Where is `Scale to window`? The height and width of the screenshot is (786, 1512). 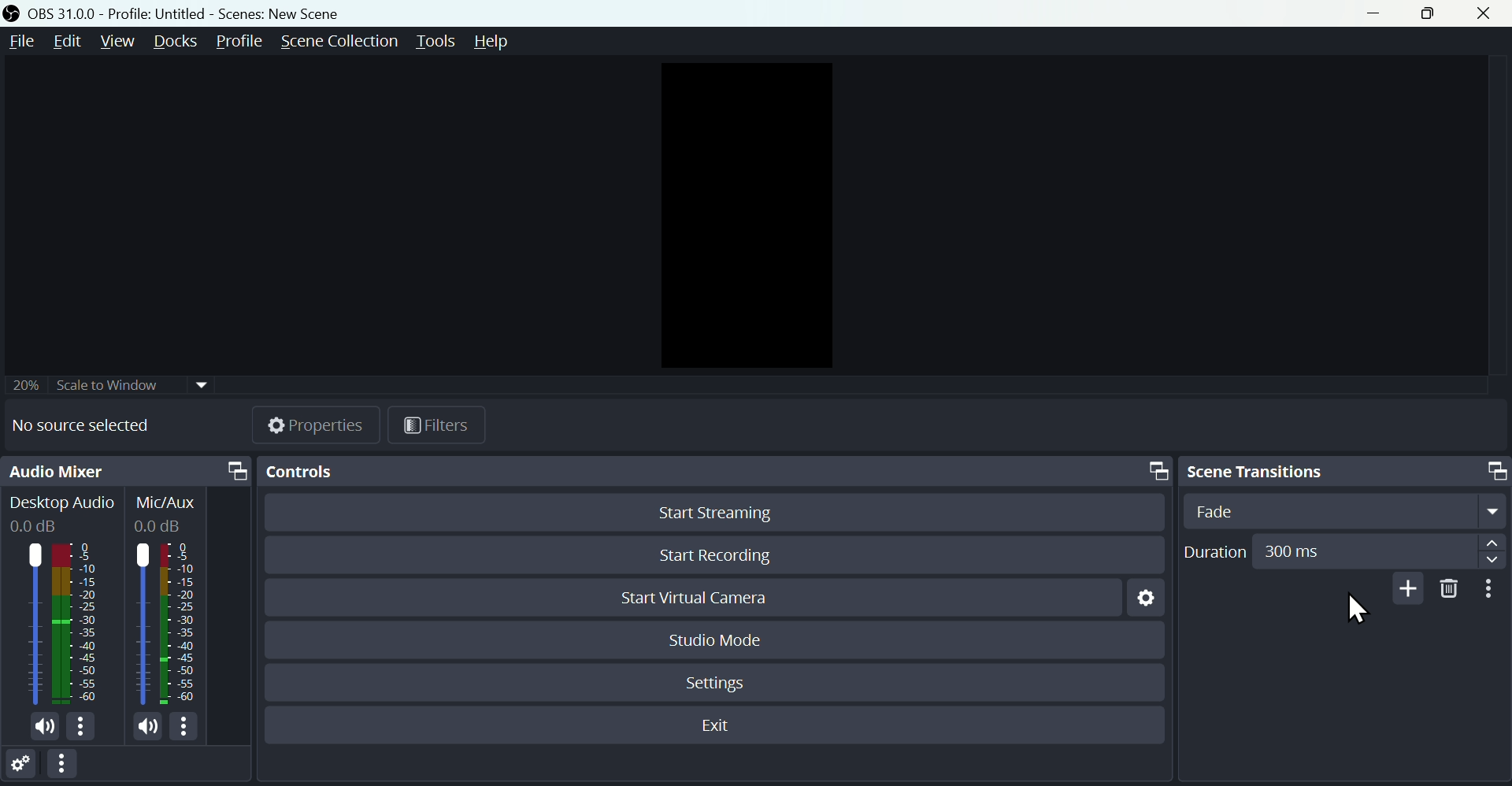
Scale to window is located at coordinates (113, 384).